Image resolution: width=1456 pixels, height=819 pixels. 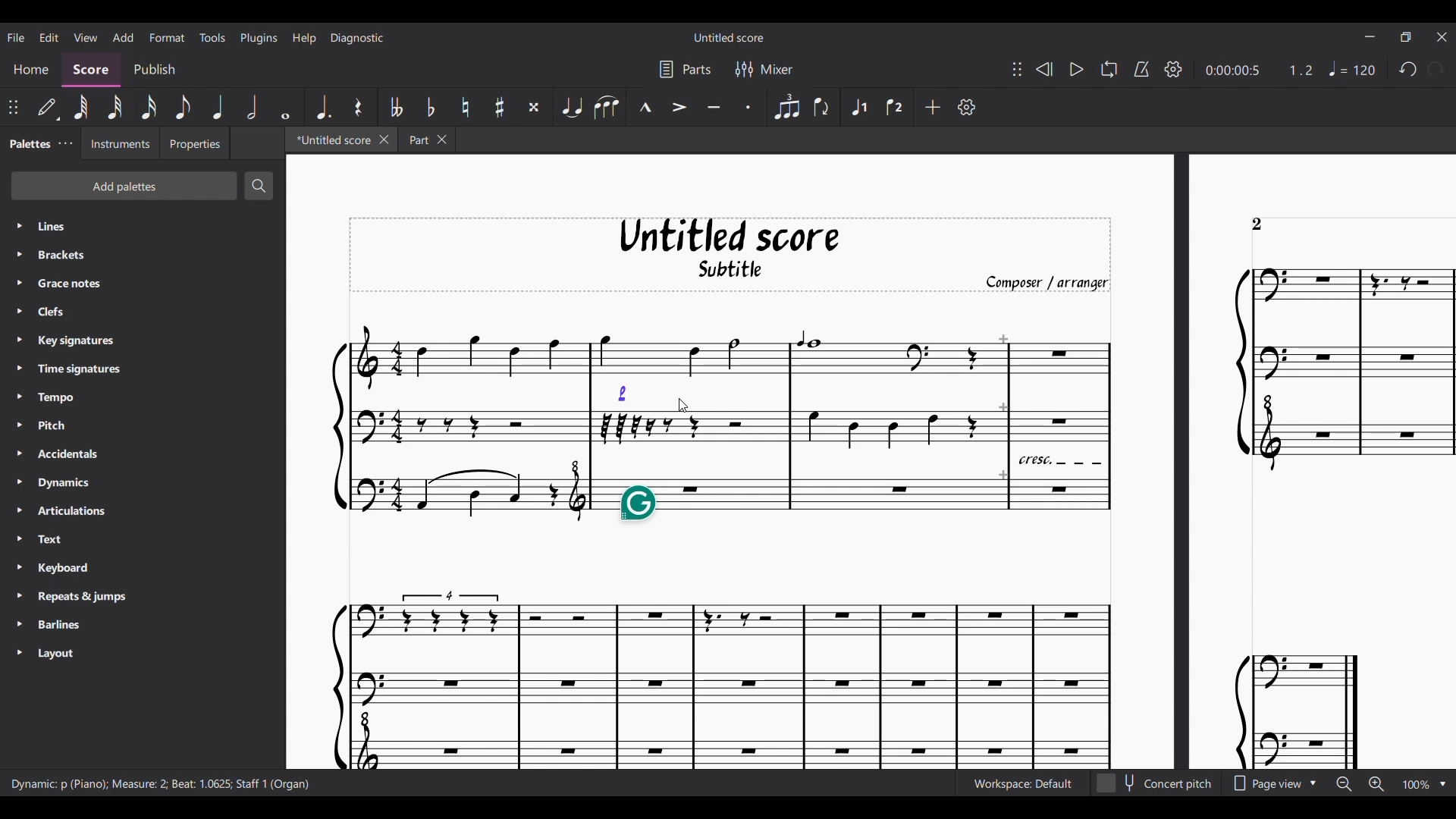 I want to click on 8th note, so click(x=182, y=107).